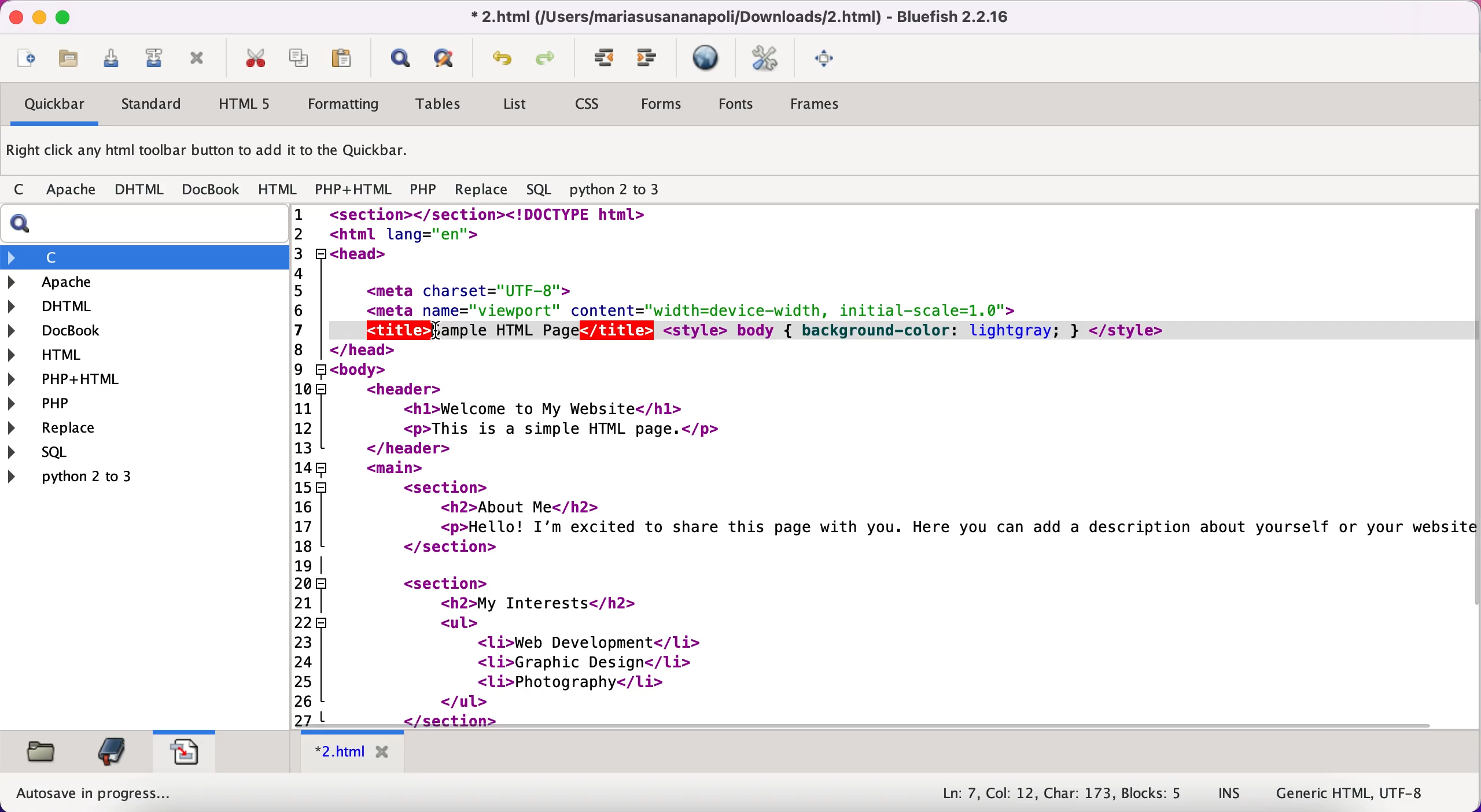 Image resolution: width=1481 pixels, height=812 pixels. Describe the element at coordinates (212, 189) in the screenshot. I see `docbook` at that location.